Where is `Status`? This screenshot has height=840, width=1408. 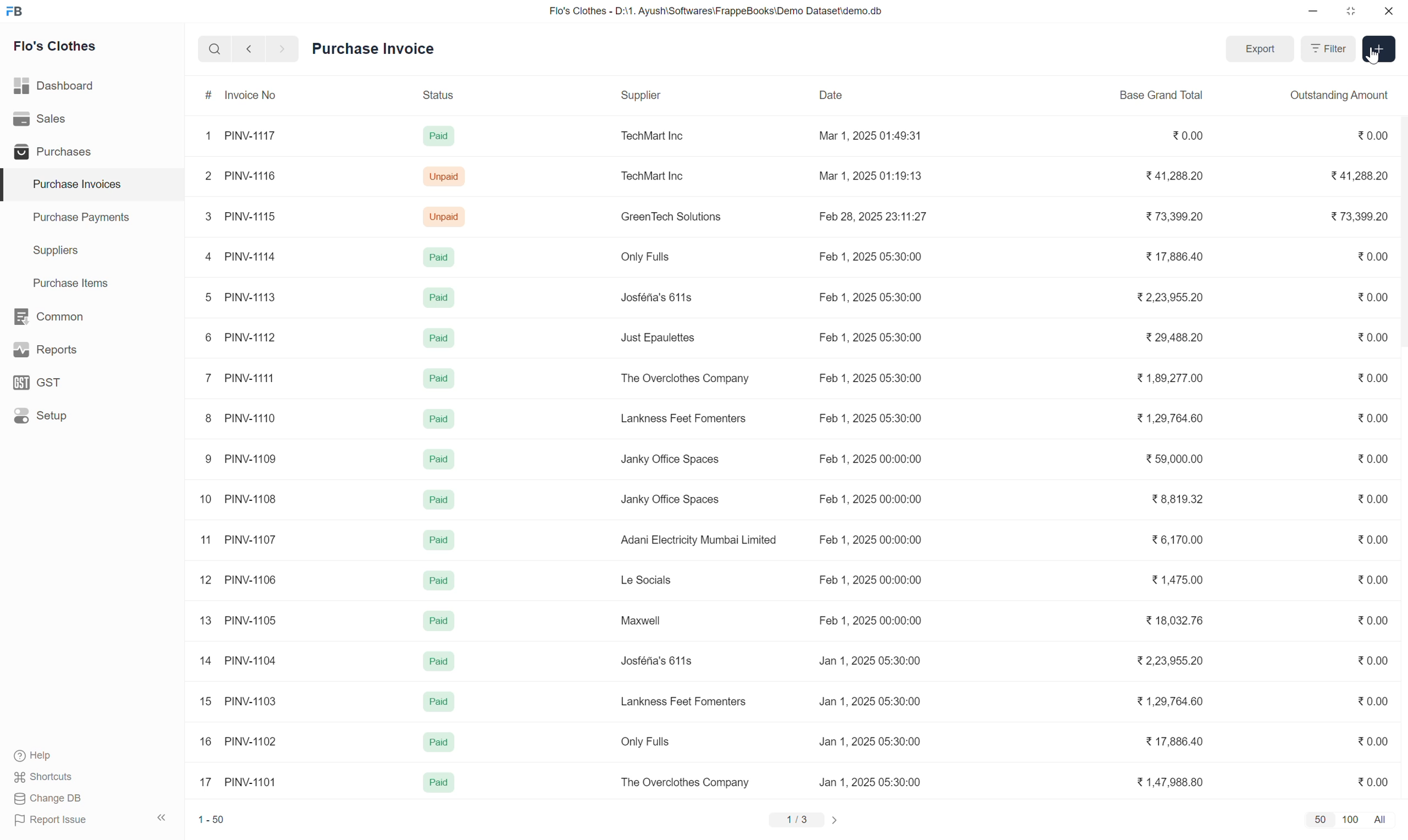 Status is located at coordinates (441, 96).